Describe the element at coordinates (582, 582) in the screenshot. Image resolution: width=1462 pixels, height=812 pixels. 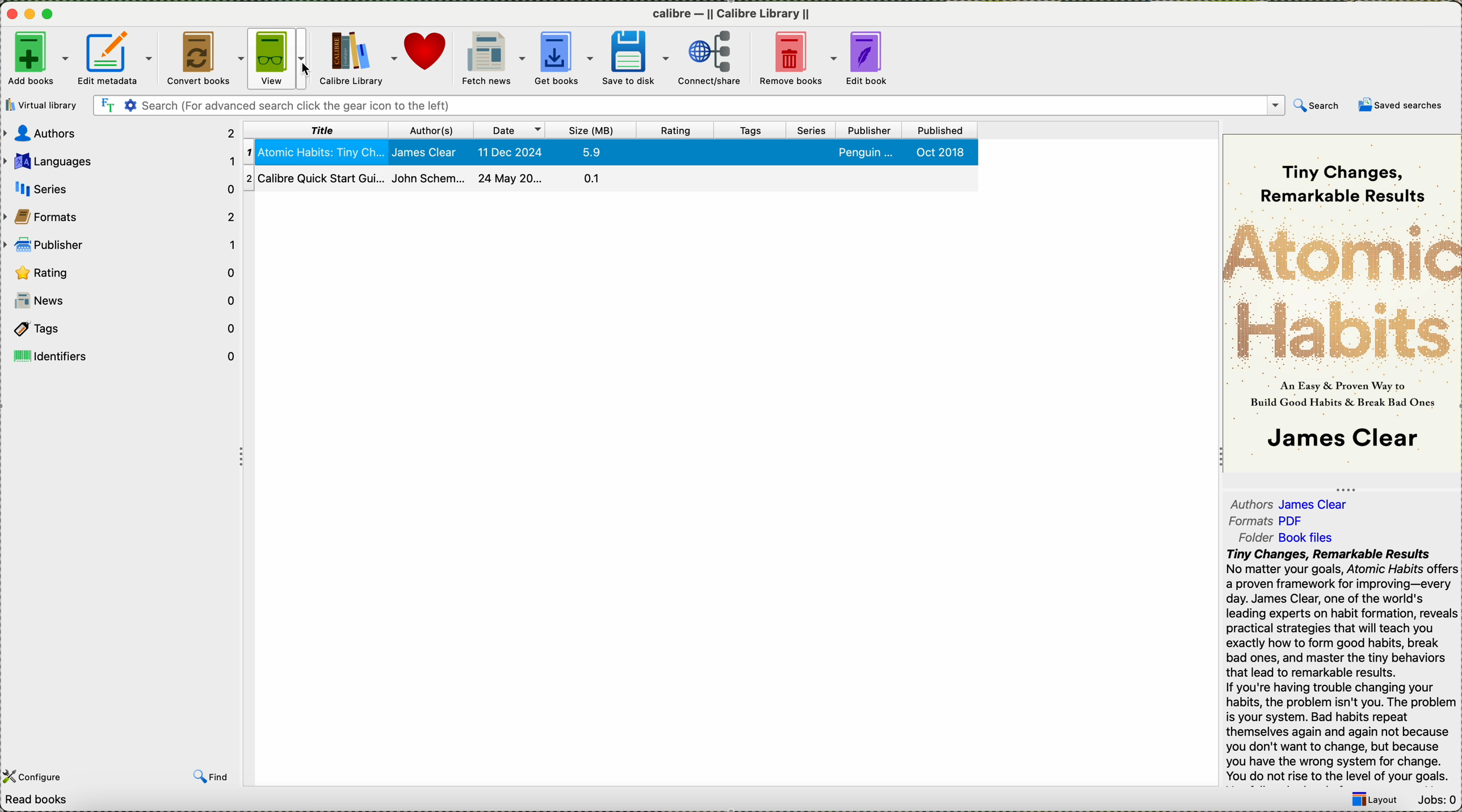
I see `` at that location.